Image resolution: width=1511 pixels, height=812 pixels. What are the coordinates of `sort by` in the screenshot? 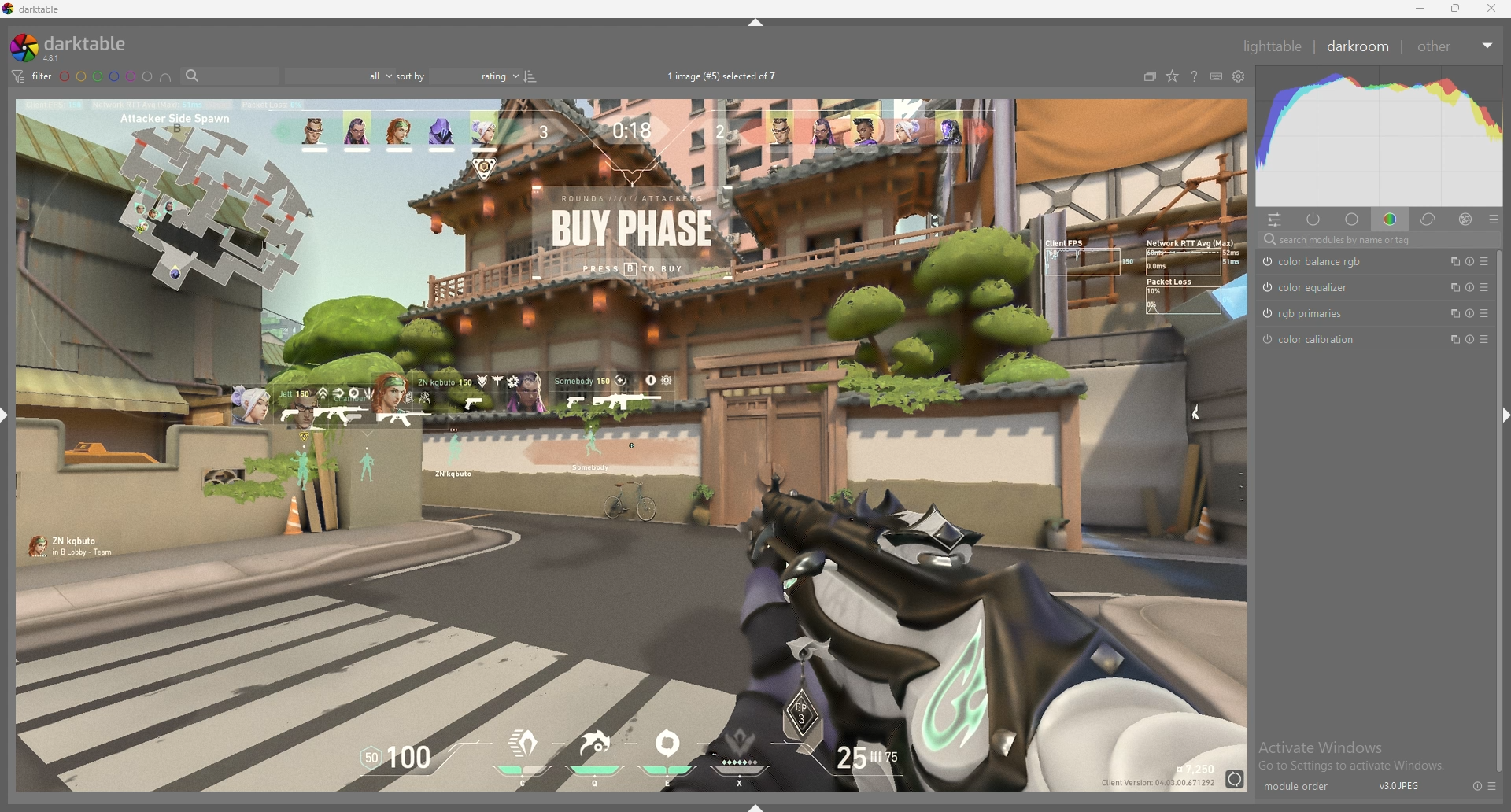 It's located at (459, 76).